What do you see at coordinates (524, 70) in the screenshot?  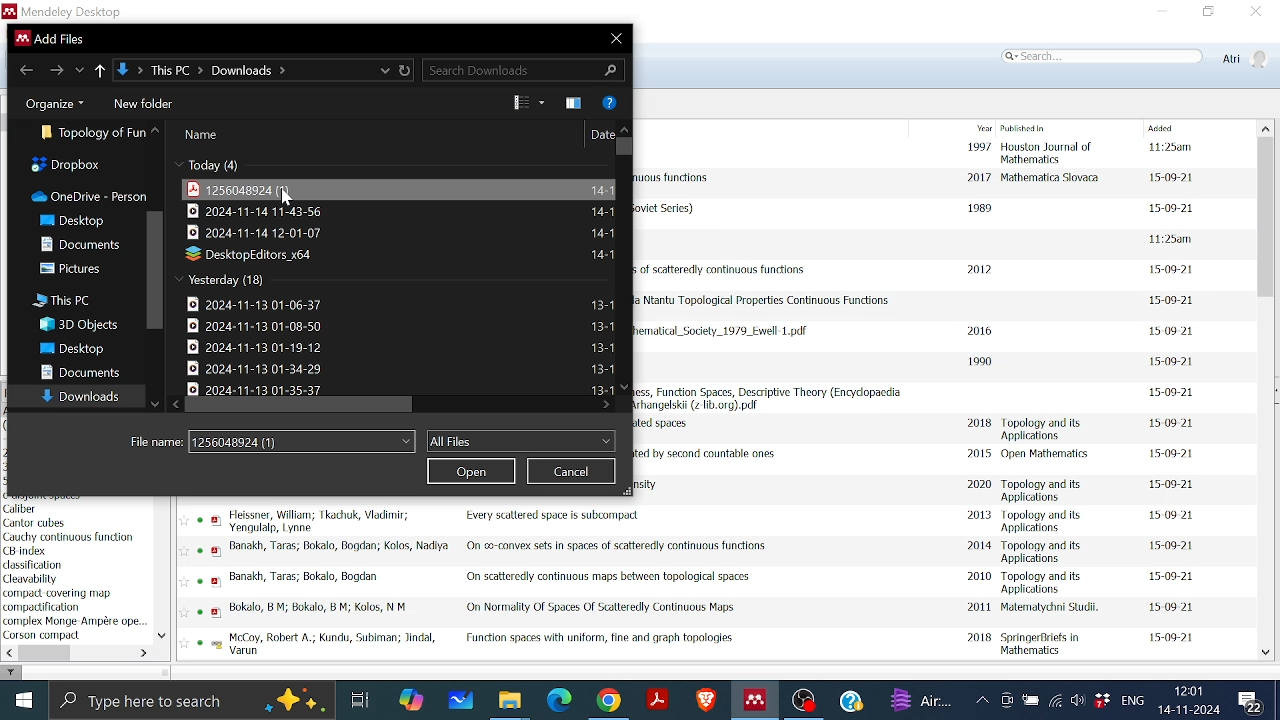 I see `Search Download` at bounding box center [524, 70].